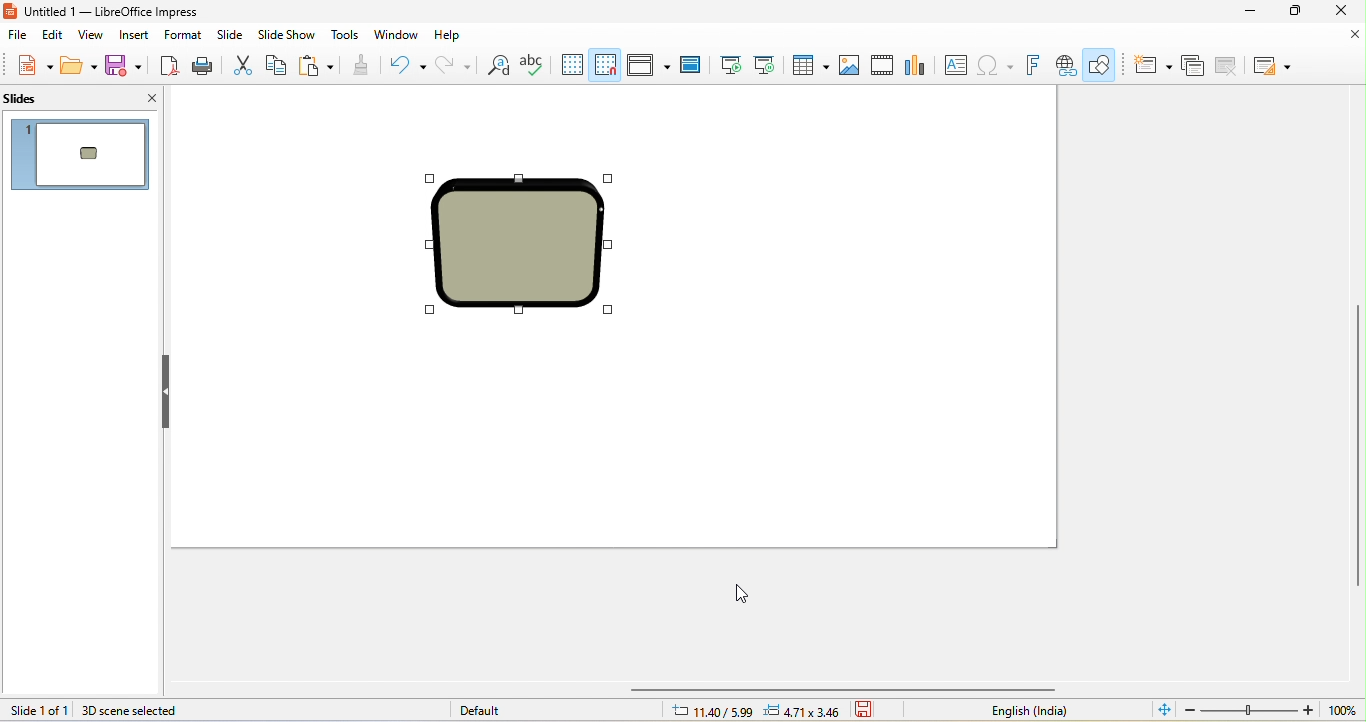  Describe the element at coordinates (54, 34) in the screenshot. I see `edit` at that location.